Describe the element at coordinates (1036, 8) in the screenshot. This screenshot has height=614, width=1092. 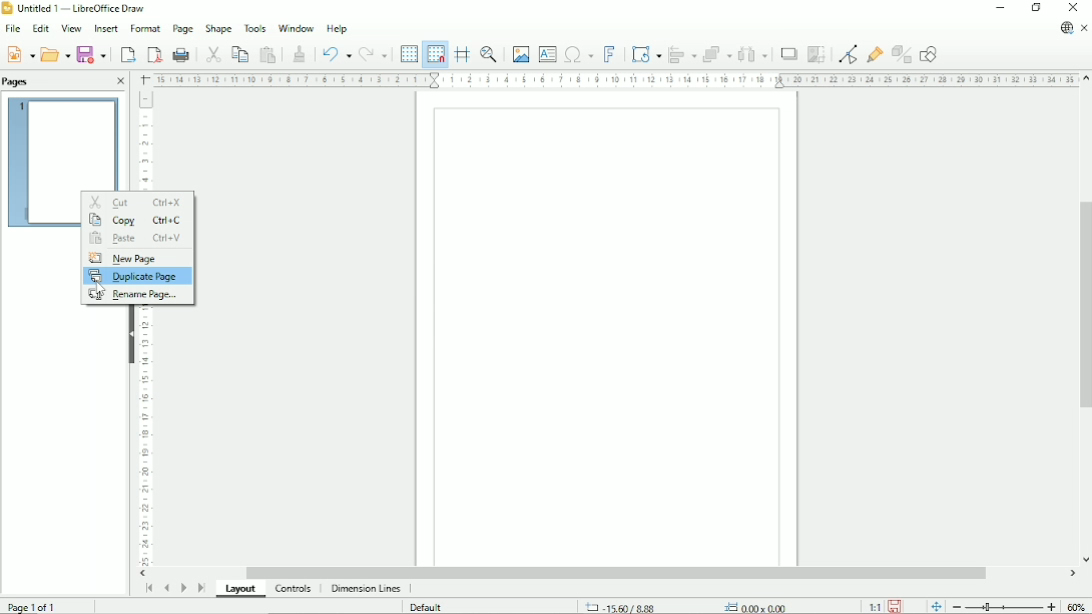
I see `Restore down` at that location.